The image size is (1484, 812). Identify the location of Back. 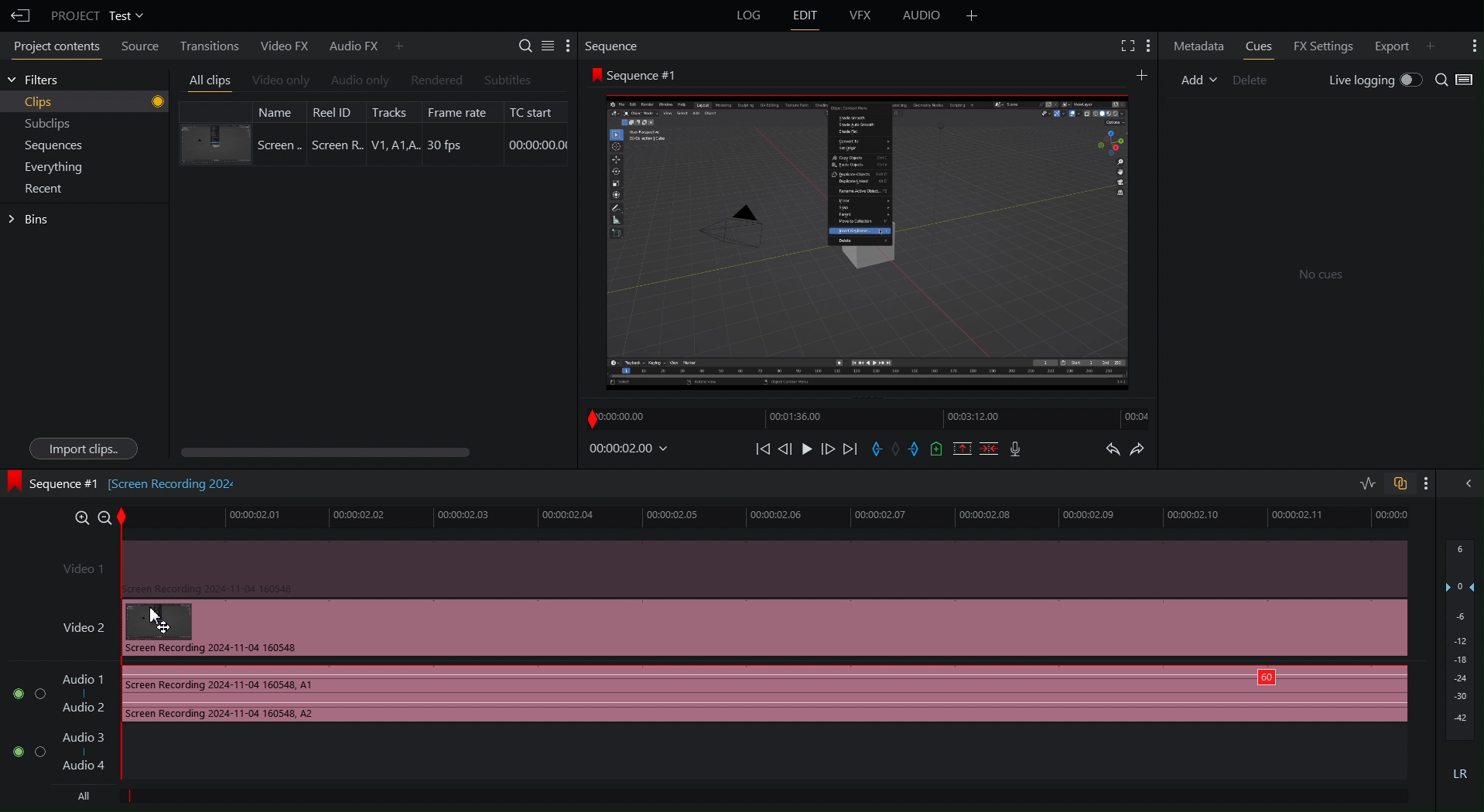
(19, 13).